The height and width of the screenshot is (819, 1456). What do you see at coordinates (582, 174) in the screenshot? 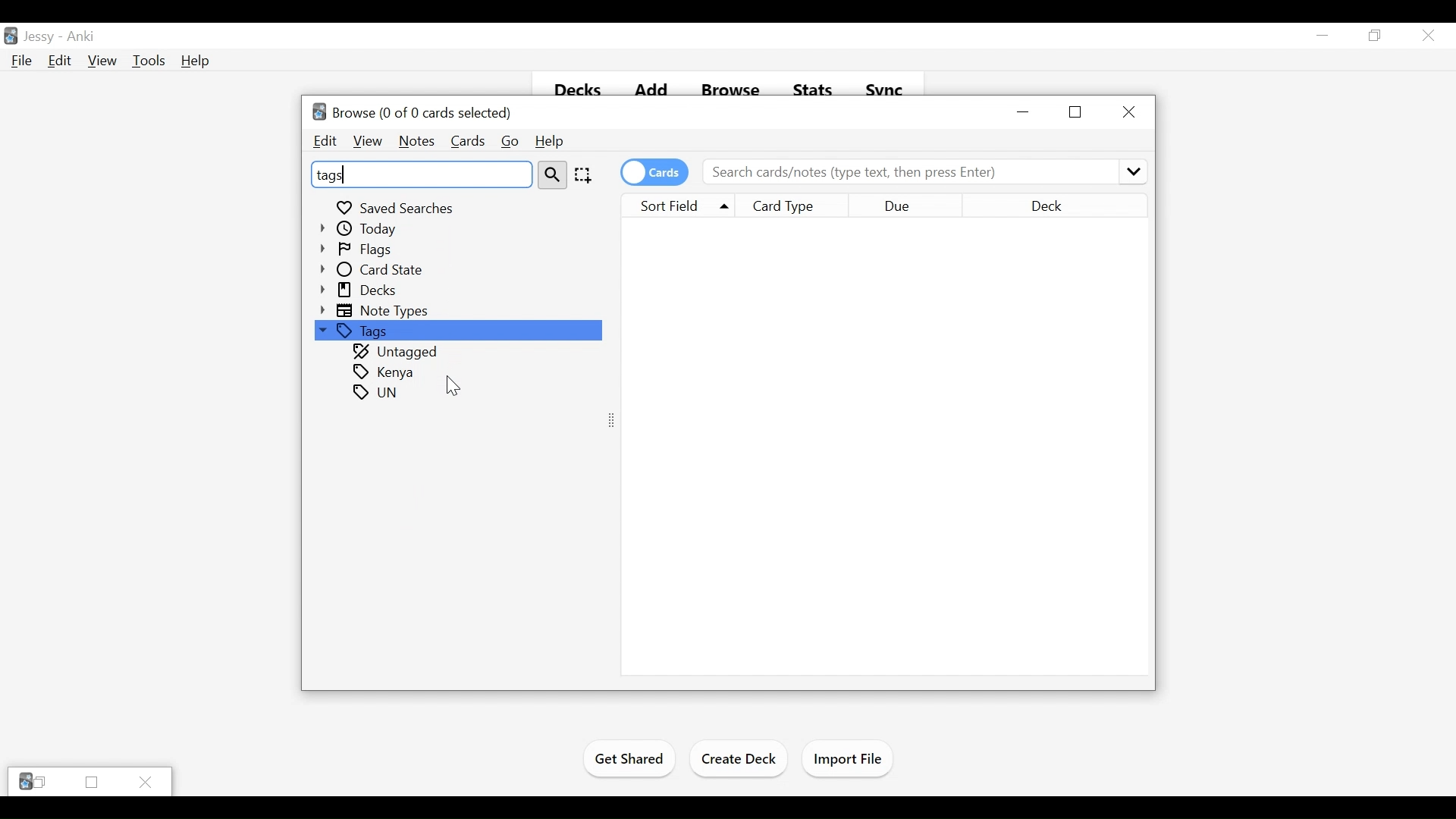
I see `Selection Tool` at bounding box center [582, 174].